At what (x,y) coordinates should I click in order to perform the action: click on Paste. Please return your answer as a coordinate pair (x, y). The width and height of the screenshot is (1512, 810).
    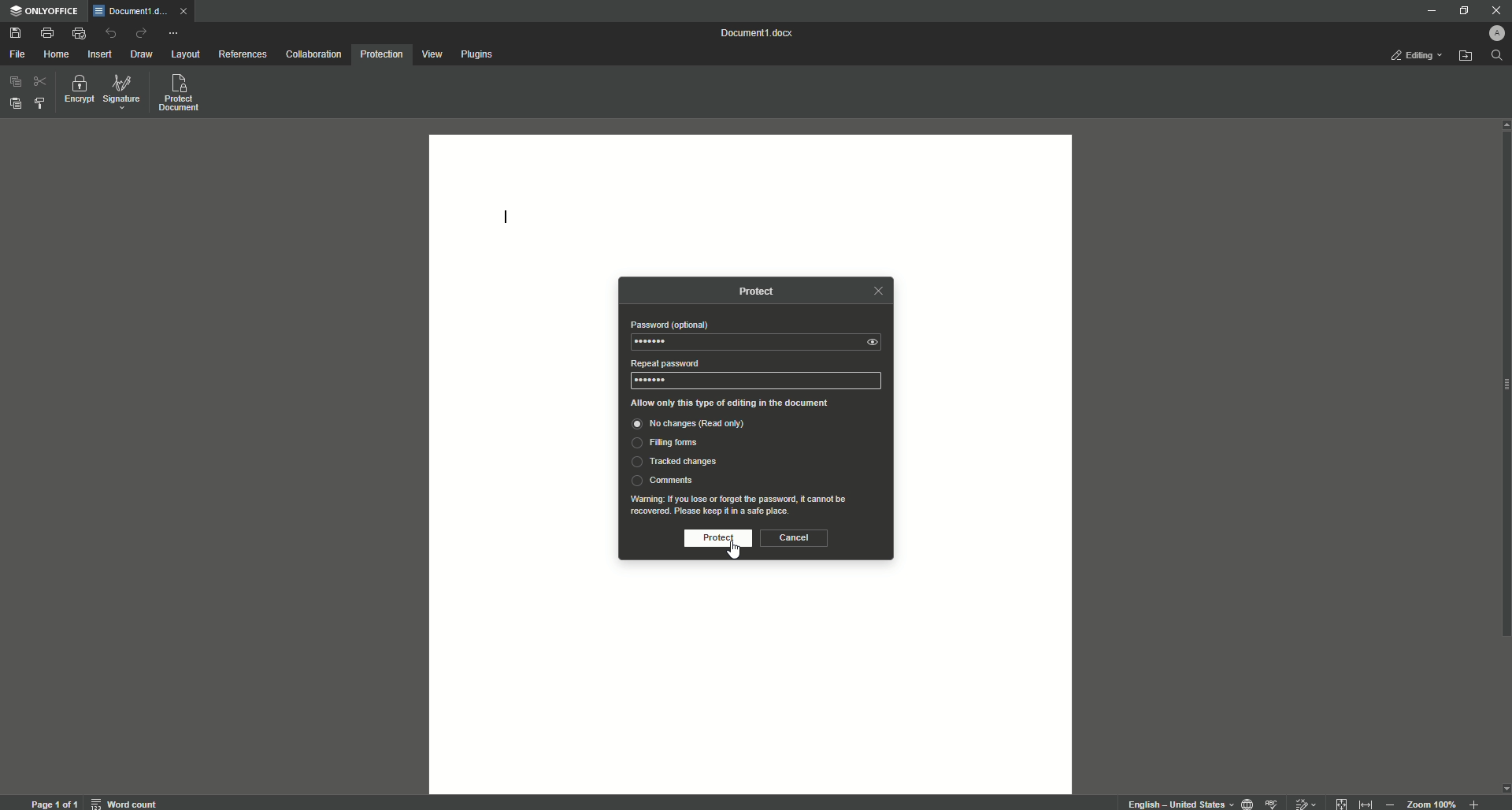
    Looking at the image, I should click on (13, 102).